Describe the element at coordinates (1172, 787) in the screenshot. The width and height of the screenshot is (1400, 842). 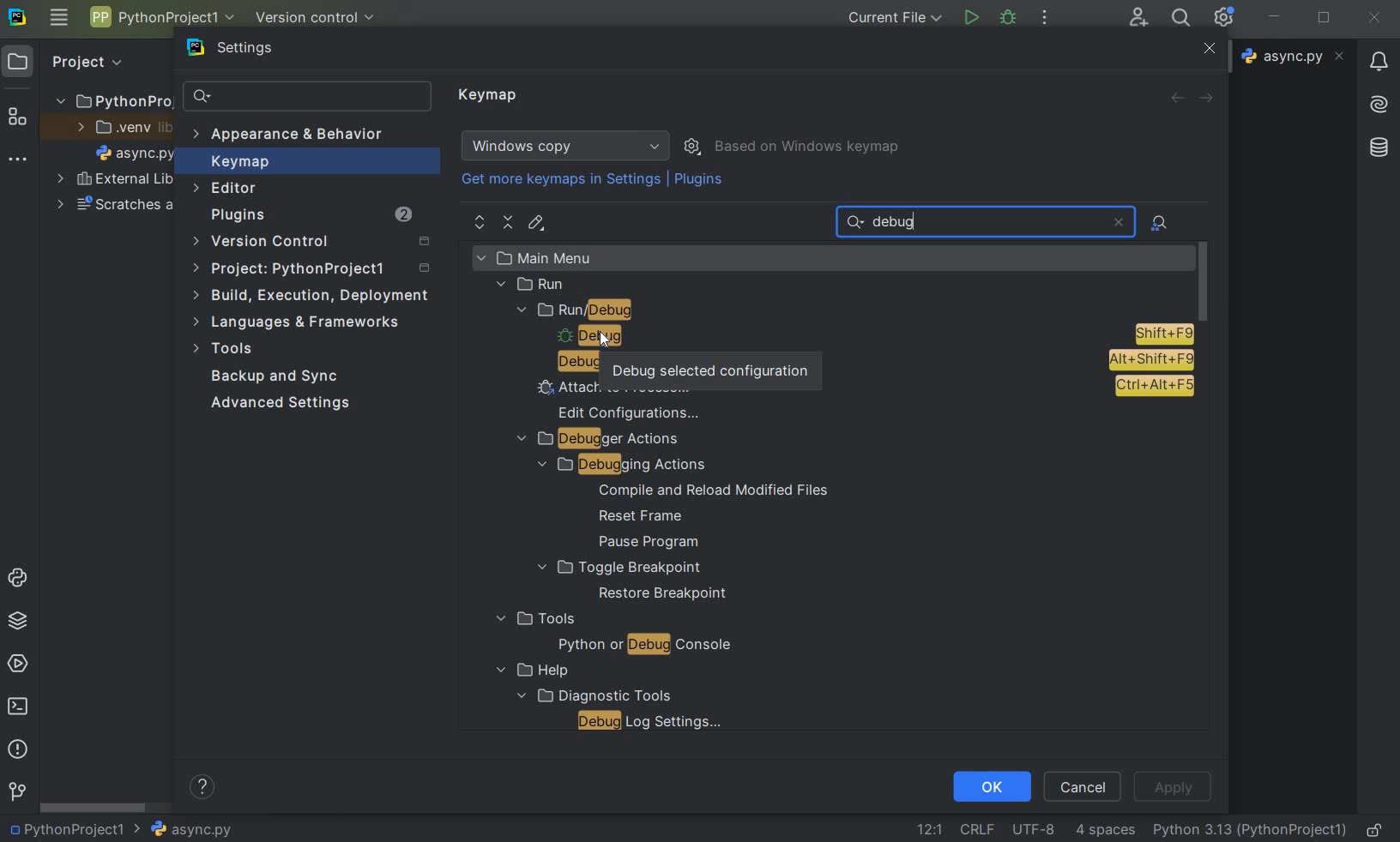
I see `apply` at that location.